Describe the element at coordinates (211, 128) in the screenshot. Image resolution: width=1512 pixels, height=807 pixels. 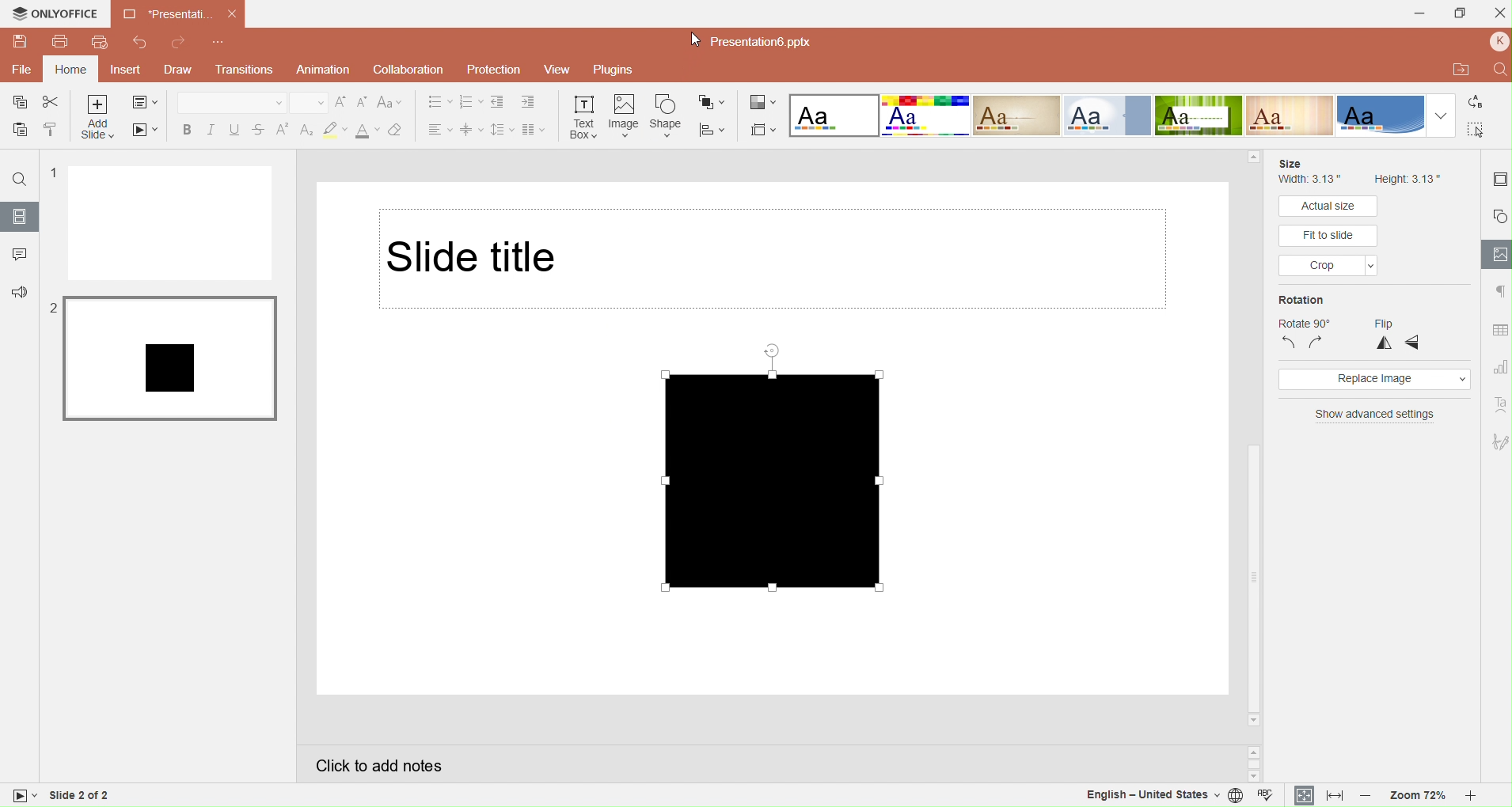
I see `Italic` at that location.